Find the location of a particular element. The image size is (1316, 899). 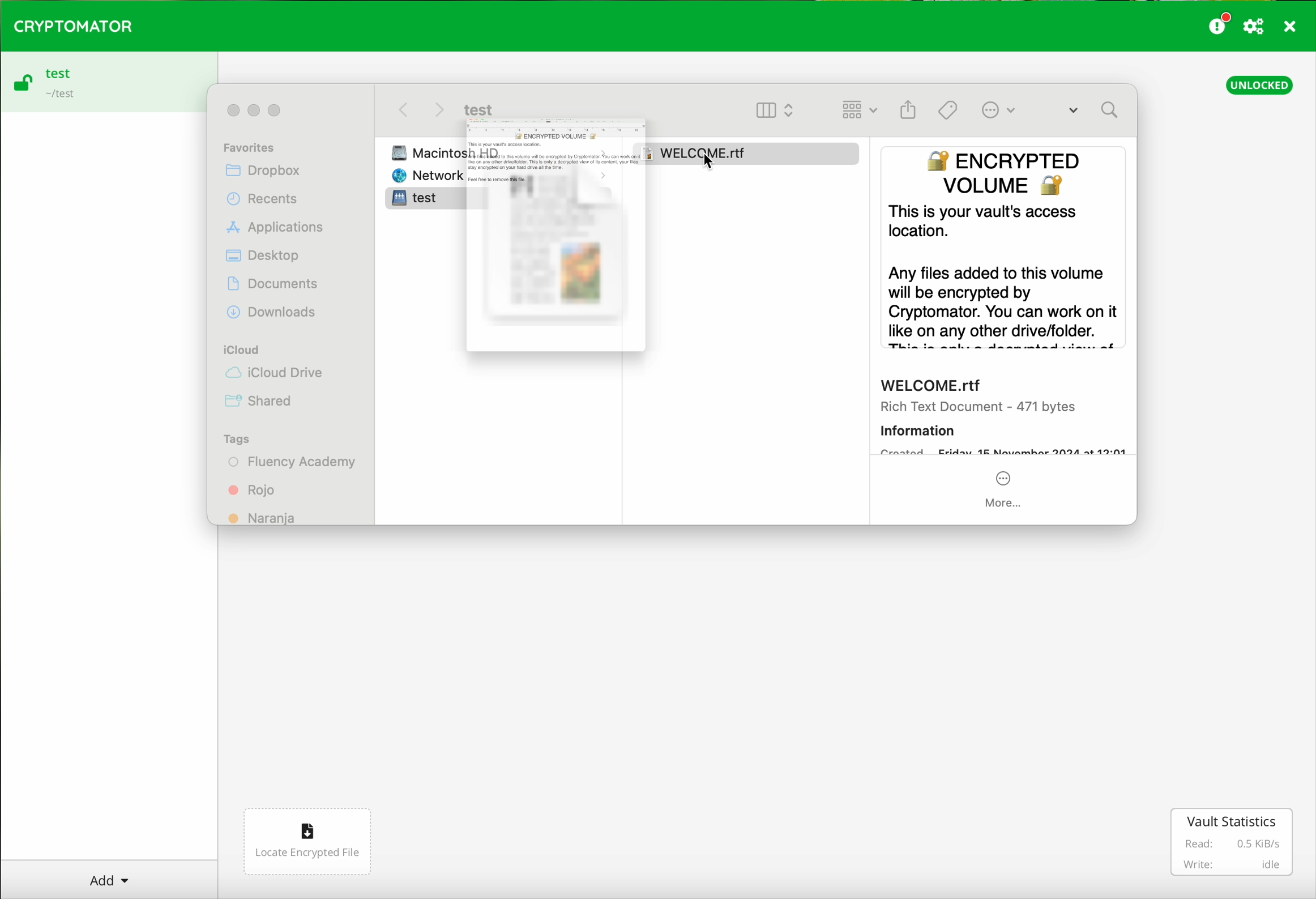

CRYPTOMATOR is located at coordinates (73, 24).